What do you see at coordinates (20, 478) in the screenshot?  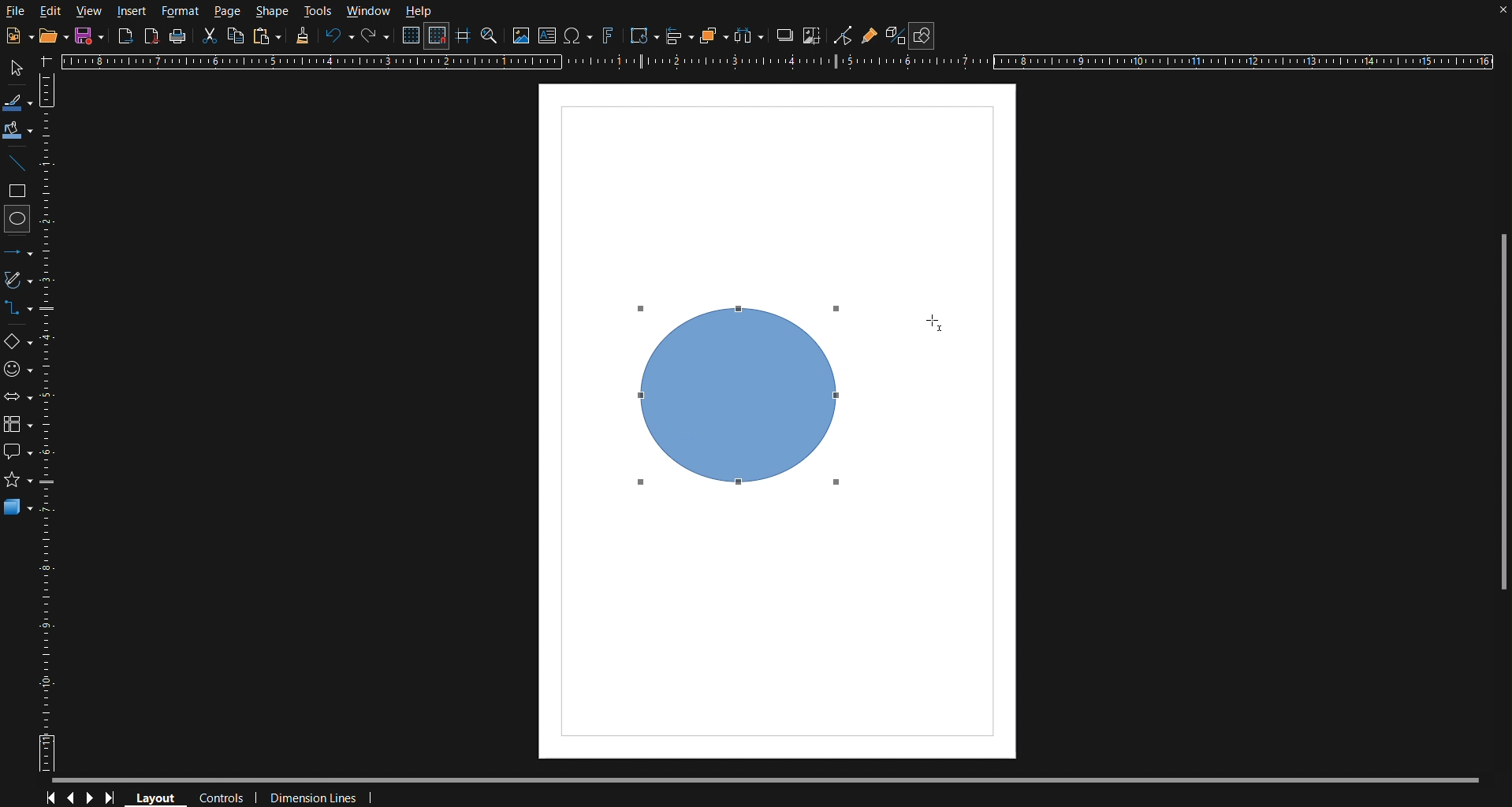 I see `star shape` at bounding box center [20, 478].